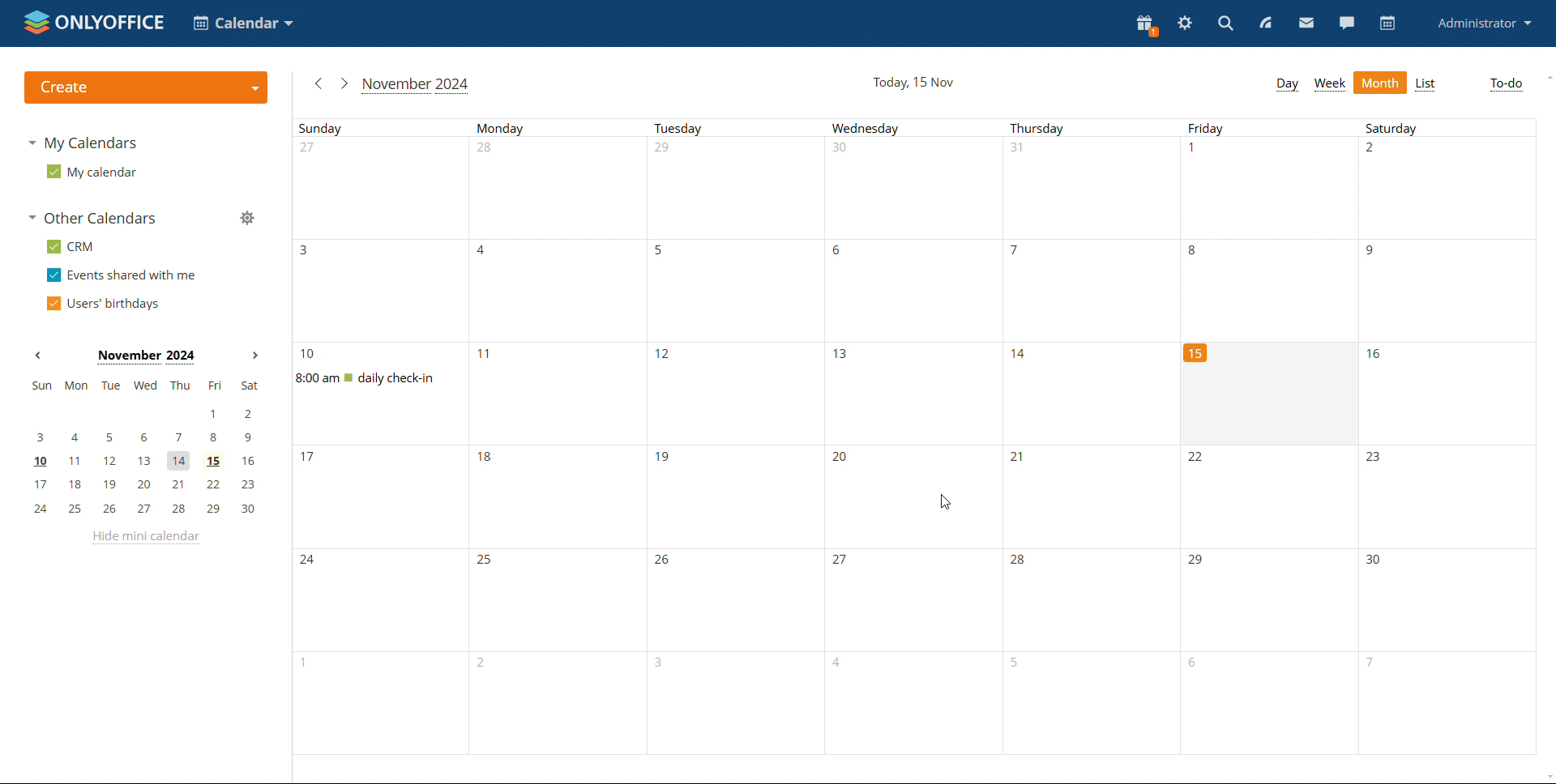 The image size is (1556, 784). What do you see at coordinates (1374, 151) in the screenshot?
I see `Number` at bounding box center [1374, 151].